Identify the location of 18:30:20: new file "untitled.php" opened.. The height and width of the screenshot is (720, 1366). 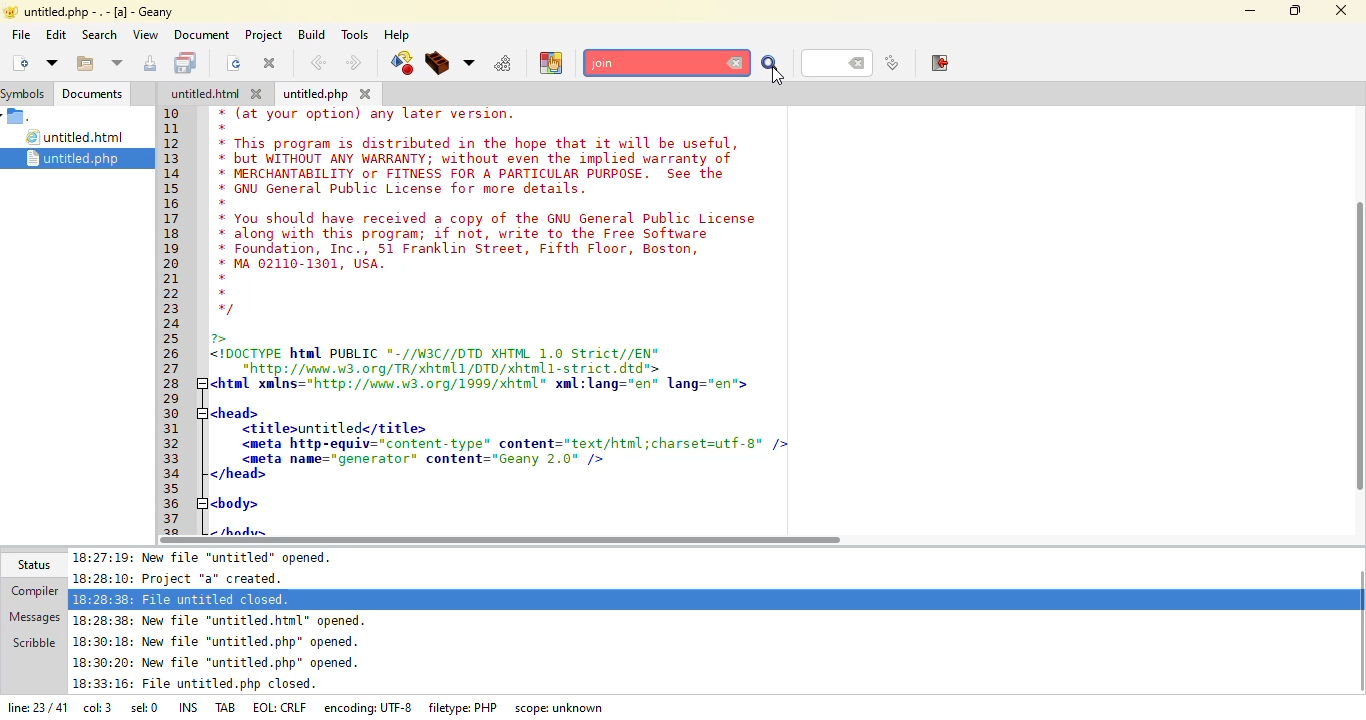
(217, 665).